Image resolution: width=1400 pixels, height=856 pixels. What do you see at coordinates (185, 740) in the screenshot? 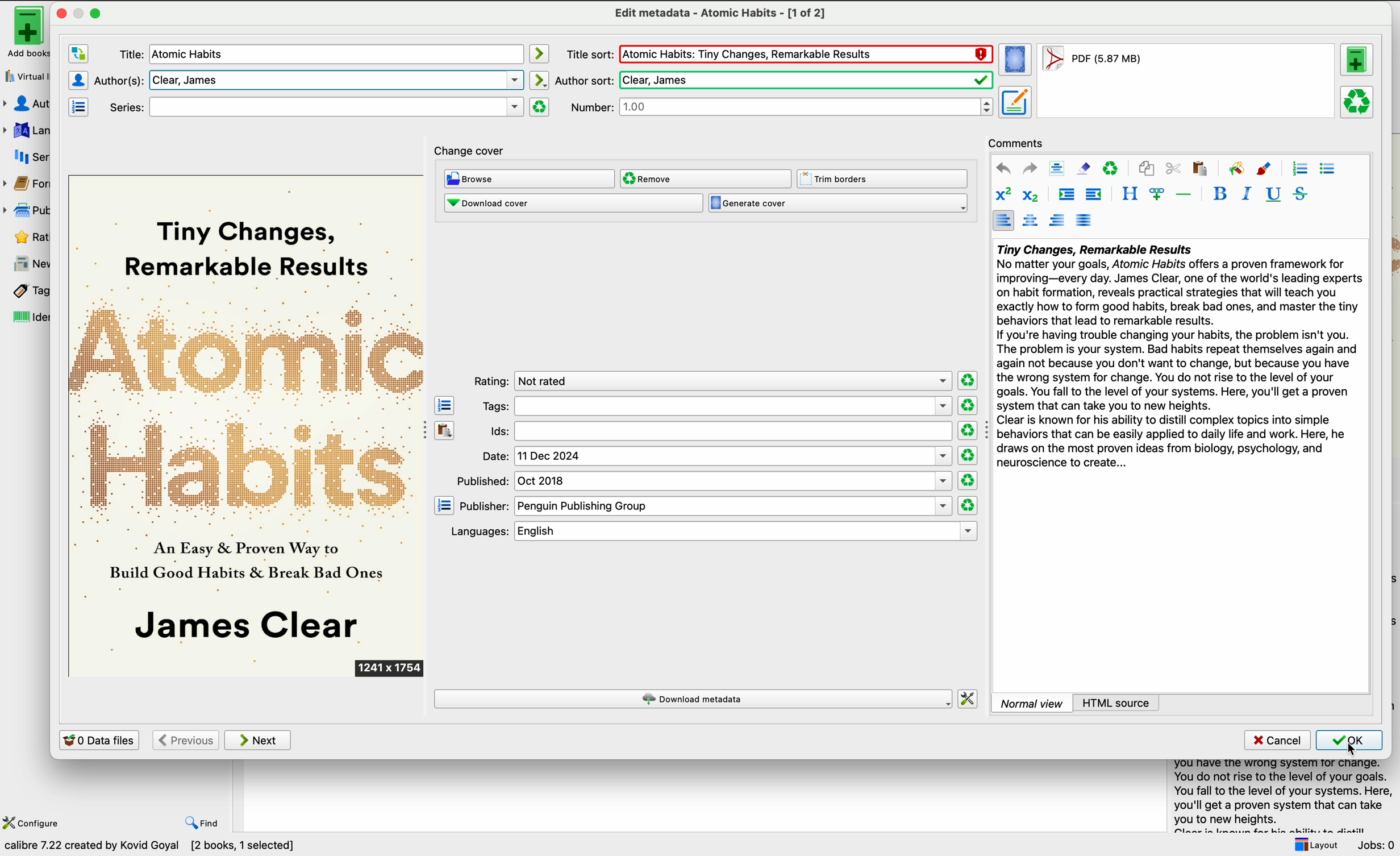
I see `previous` at bounding box center [185, 740].